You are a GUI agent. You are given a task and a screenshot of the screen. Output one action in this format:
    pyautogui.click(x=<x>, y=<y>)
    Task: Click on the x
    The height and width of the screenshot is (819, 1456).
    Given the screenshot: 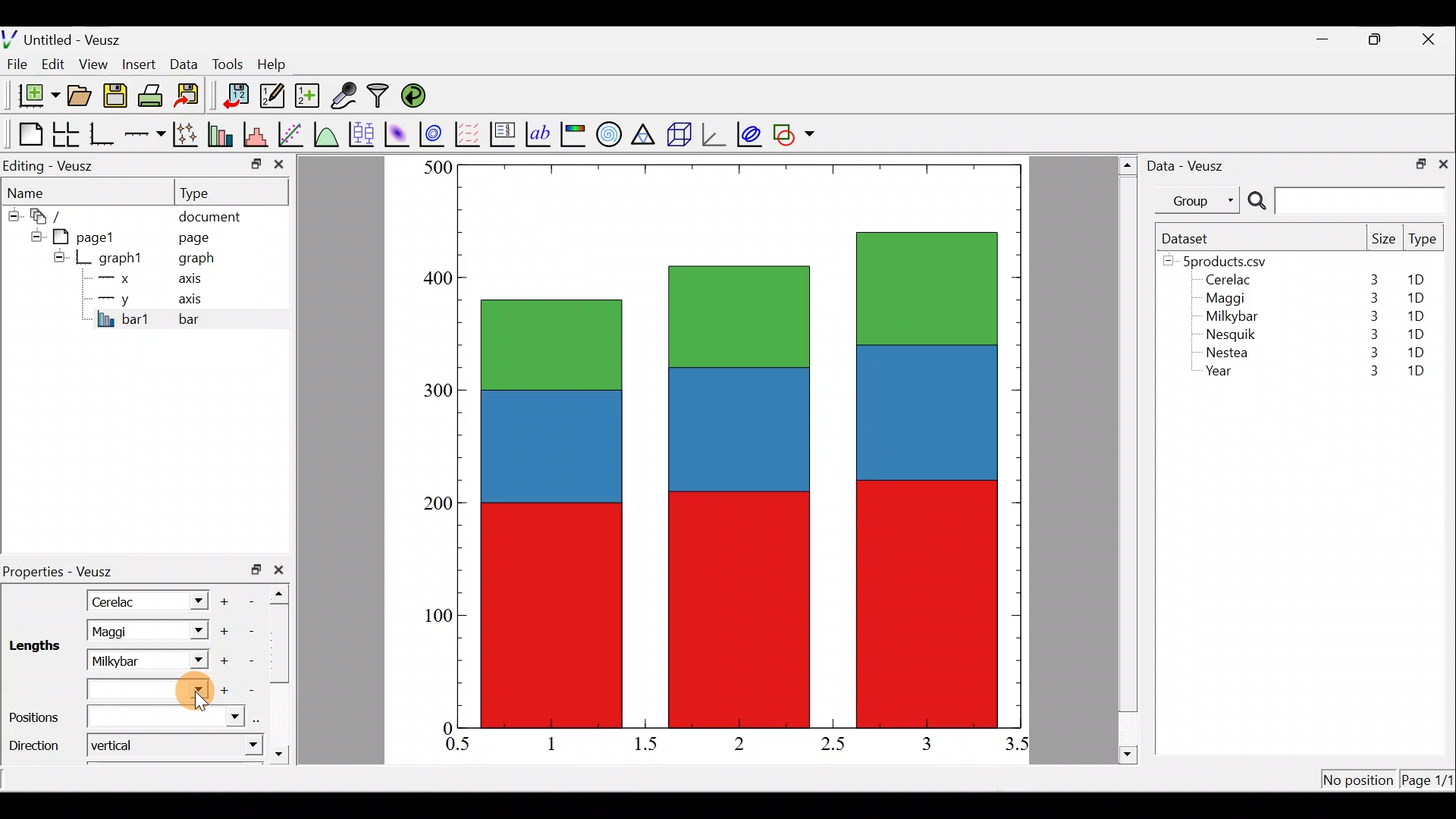 What is the action you would take?
    pyautogui.click(x=118, y=278)
    